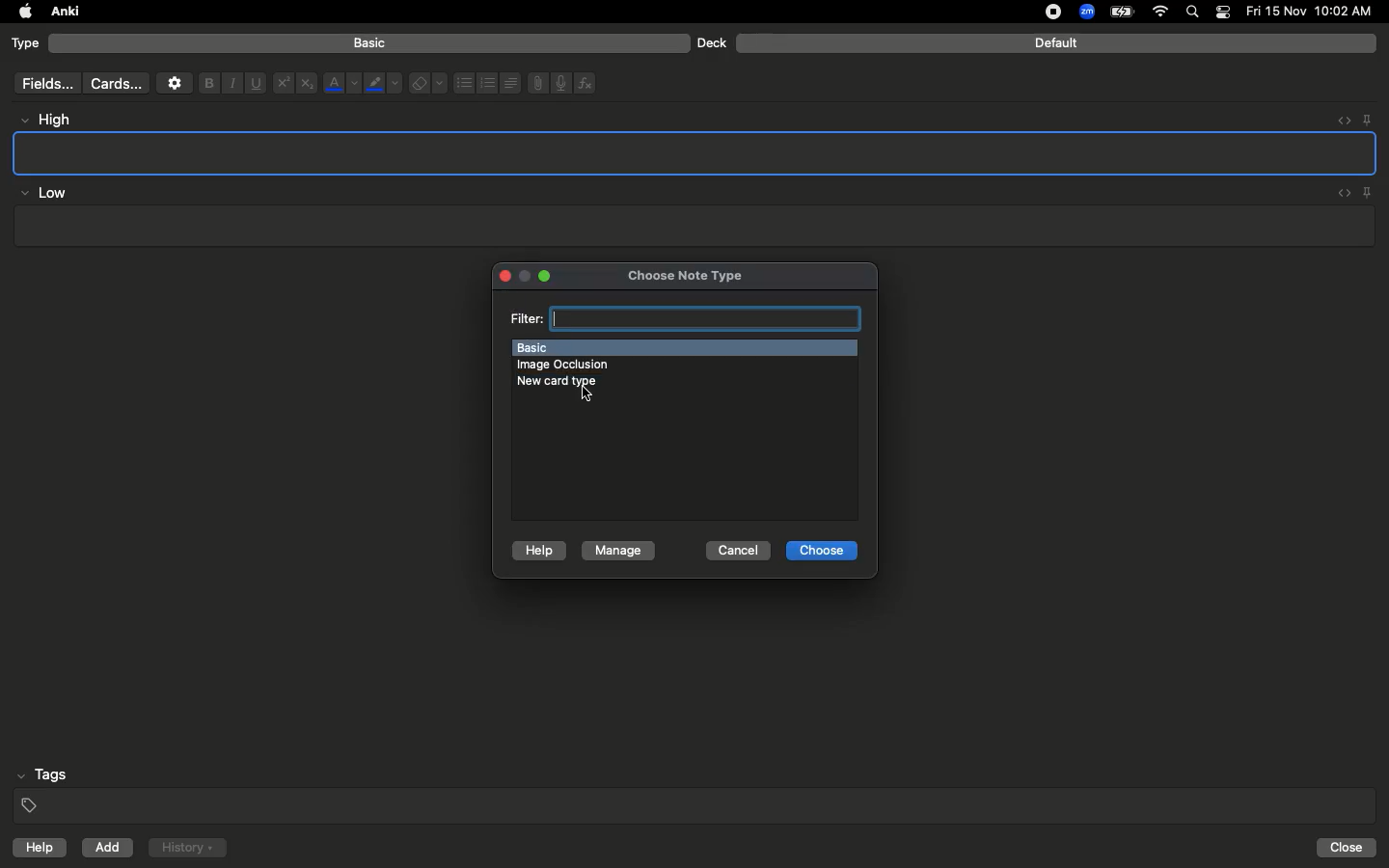 The width and height of the screenshot is (1389, 868). What do you see at coordinates (711, 42) in the screenshot?
I see `Deck` at bounding box center [711, 42].